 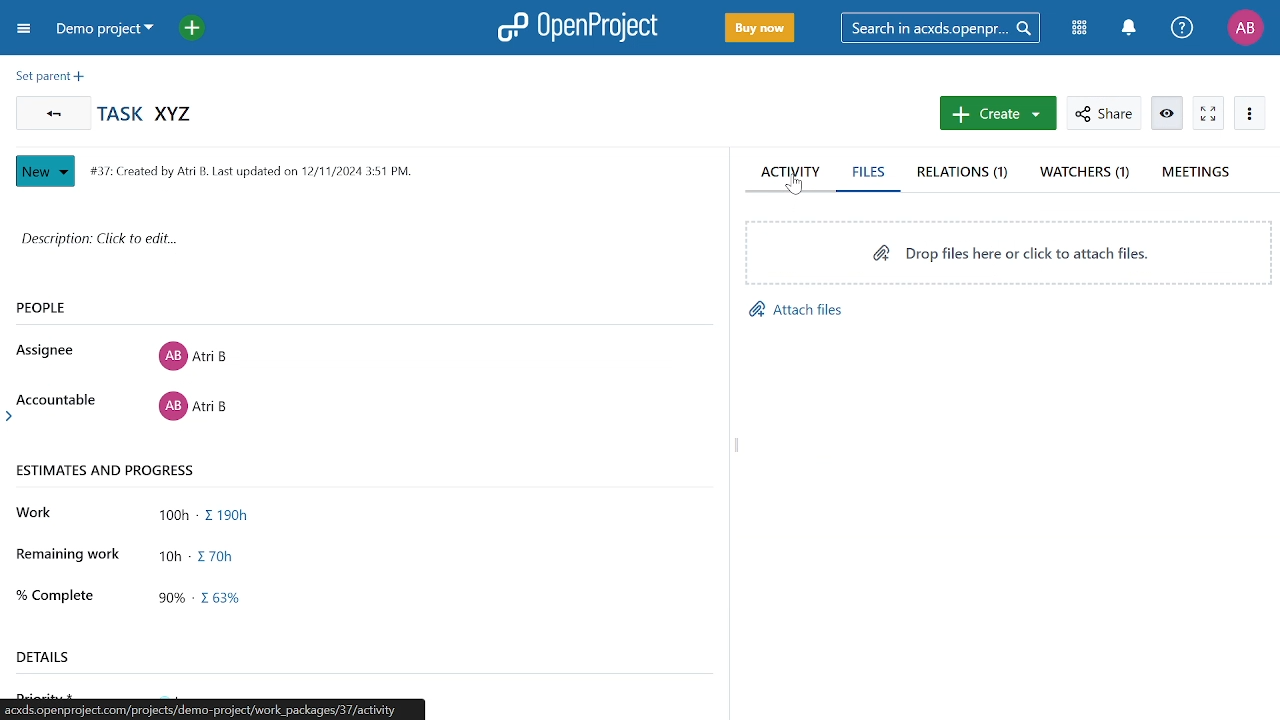 I want to click on Assignee, so click(x=222, y=353).